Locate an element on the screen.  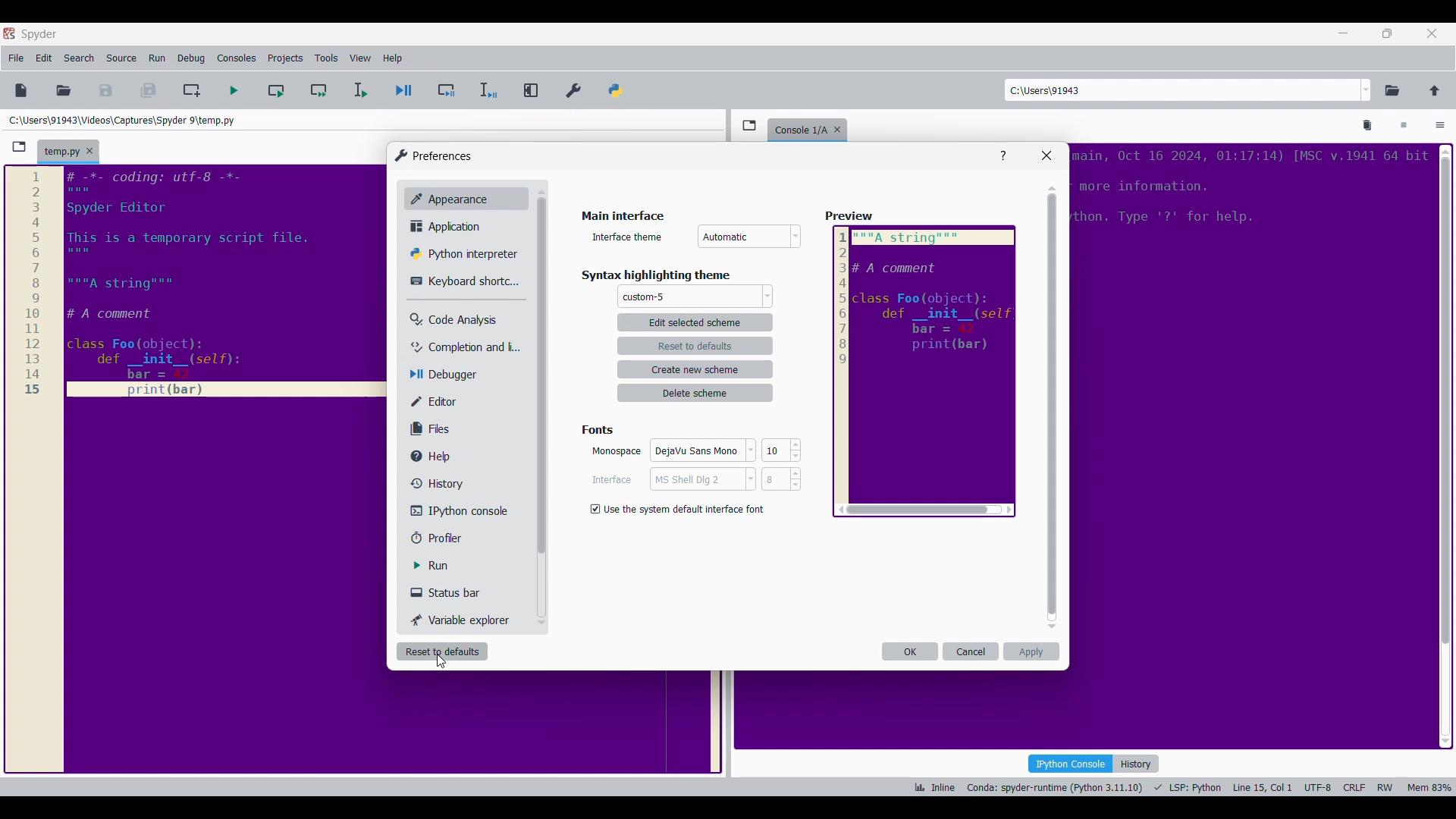
Delete scheme is located at coordinates (696, 394).